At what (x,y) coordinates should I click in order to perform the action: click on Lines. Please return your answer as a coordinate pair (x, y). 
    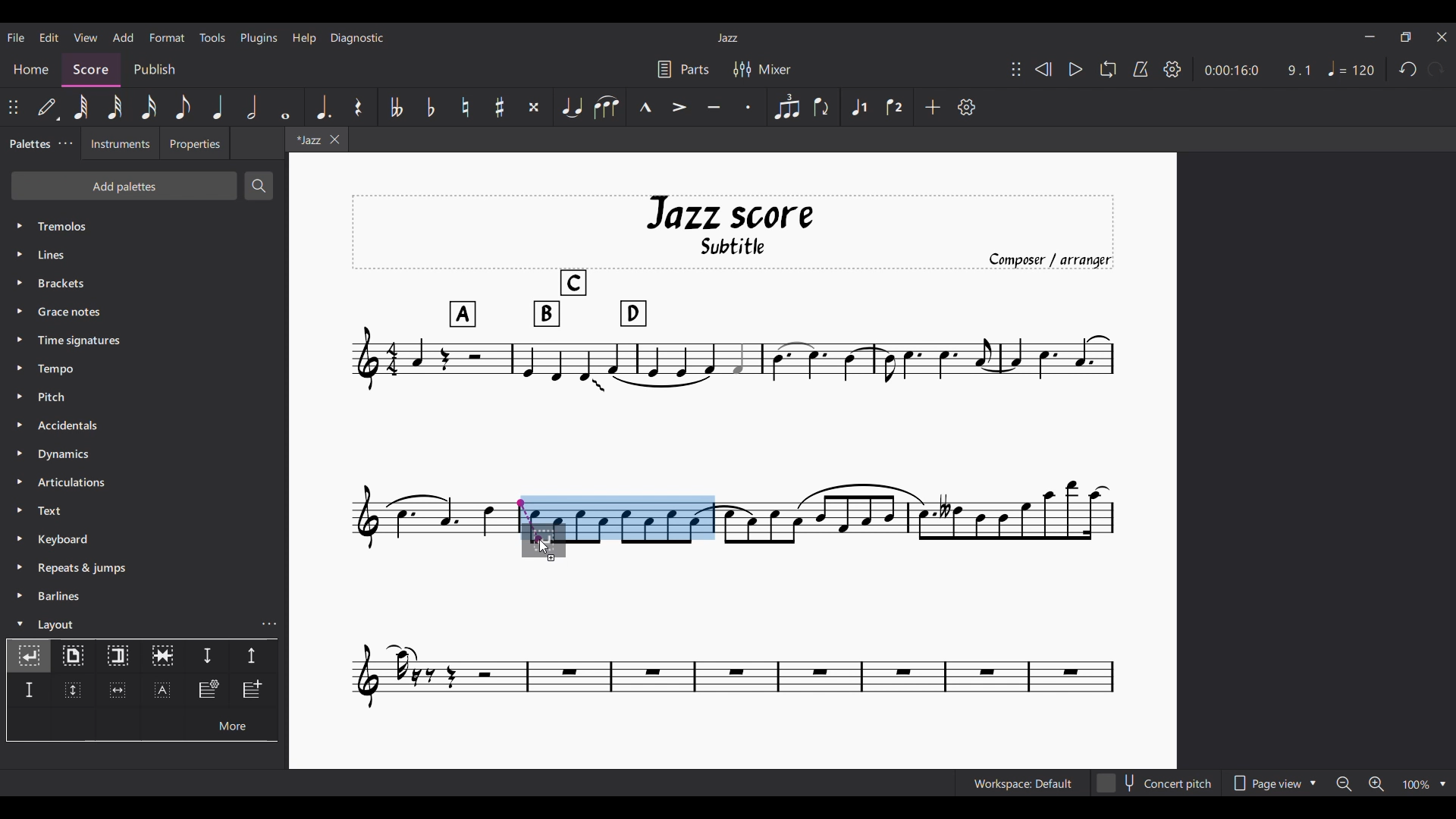
    Looking at the image, I should click on (143, 255).